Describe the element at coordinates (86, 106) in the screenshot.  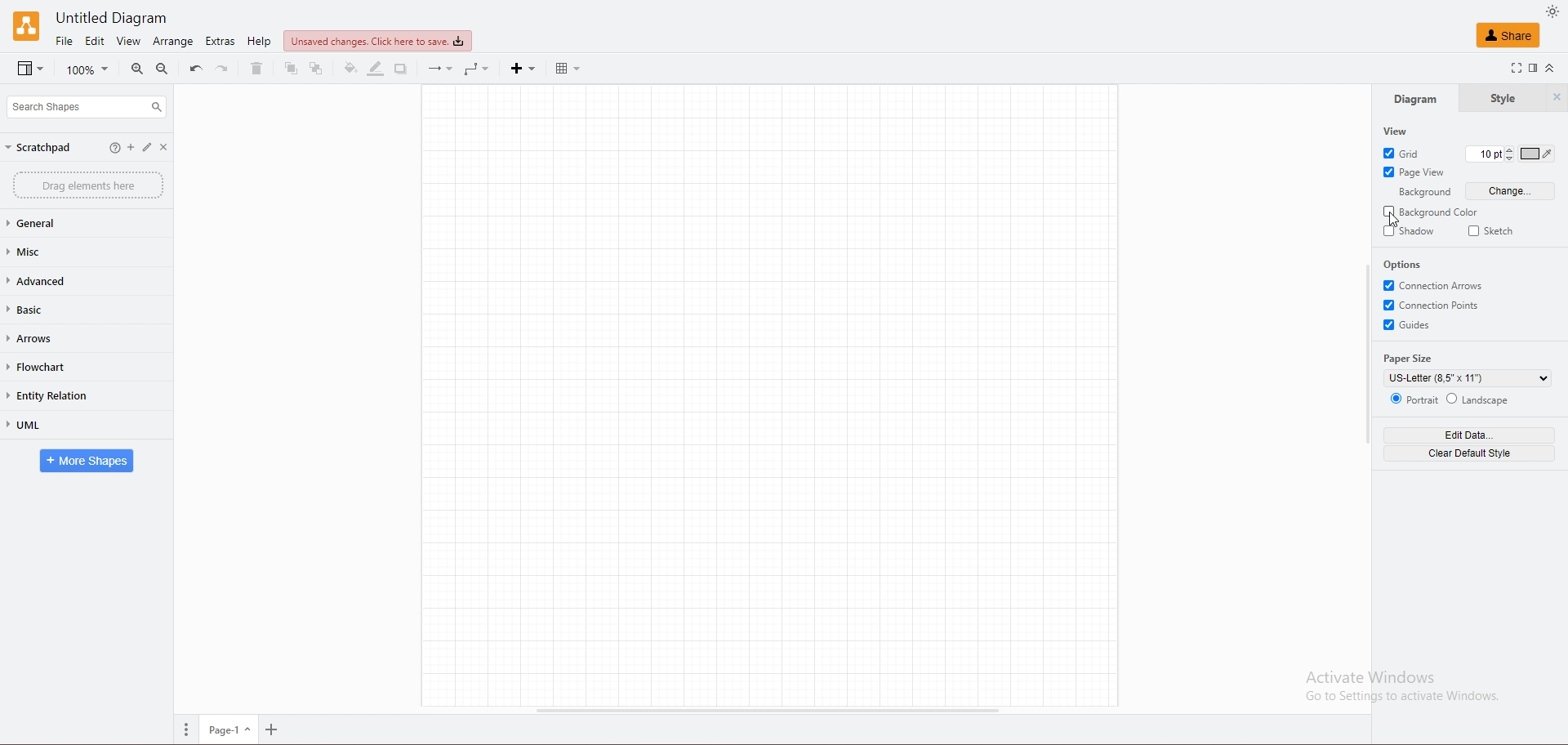
I see `search shapes` at that location.